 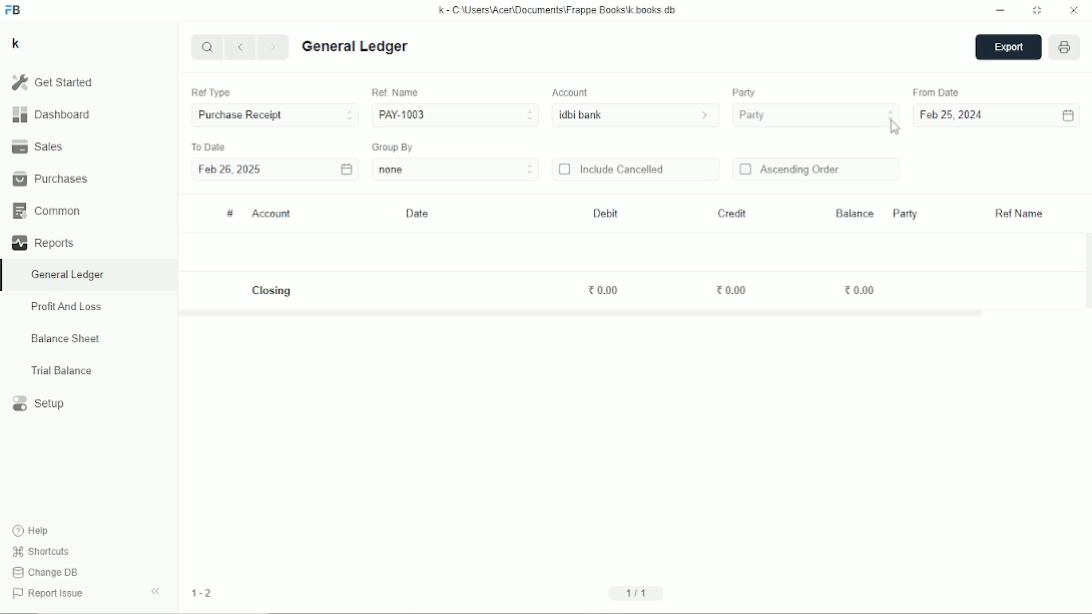 What do you see at coordinates (639, 592) in the screenshot?
I see `1/1` at bounding box center [639, 592].